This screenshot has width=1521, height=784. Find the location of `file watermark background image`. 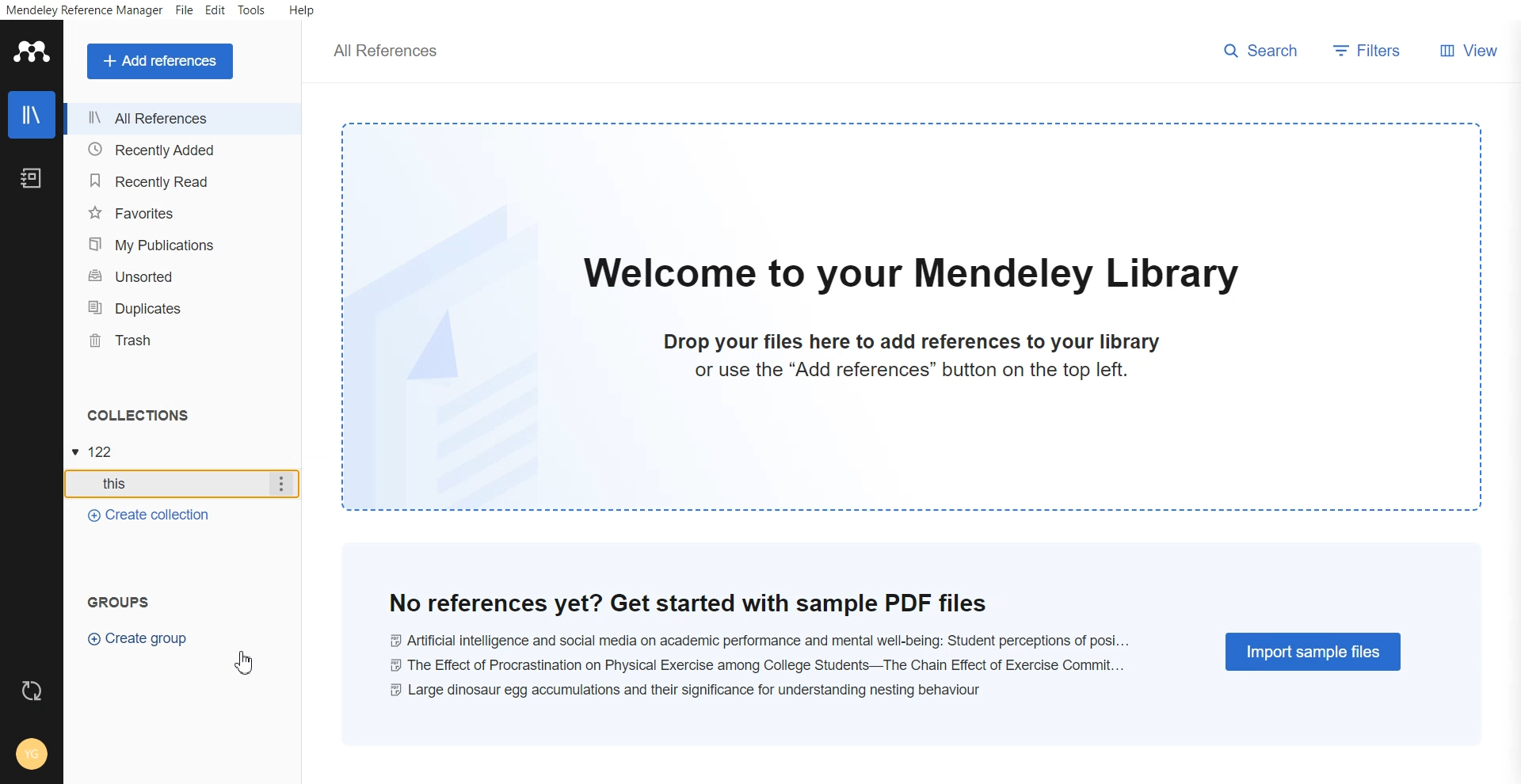

file watermark background image is located at coordinates (452, 348).